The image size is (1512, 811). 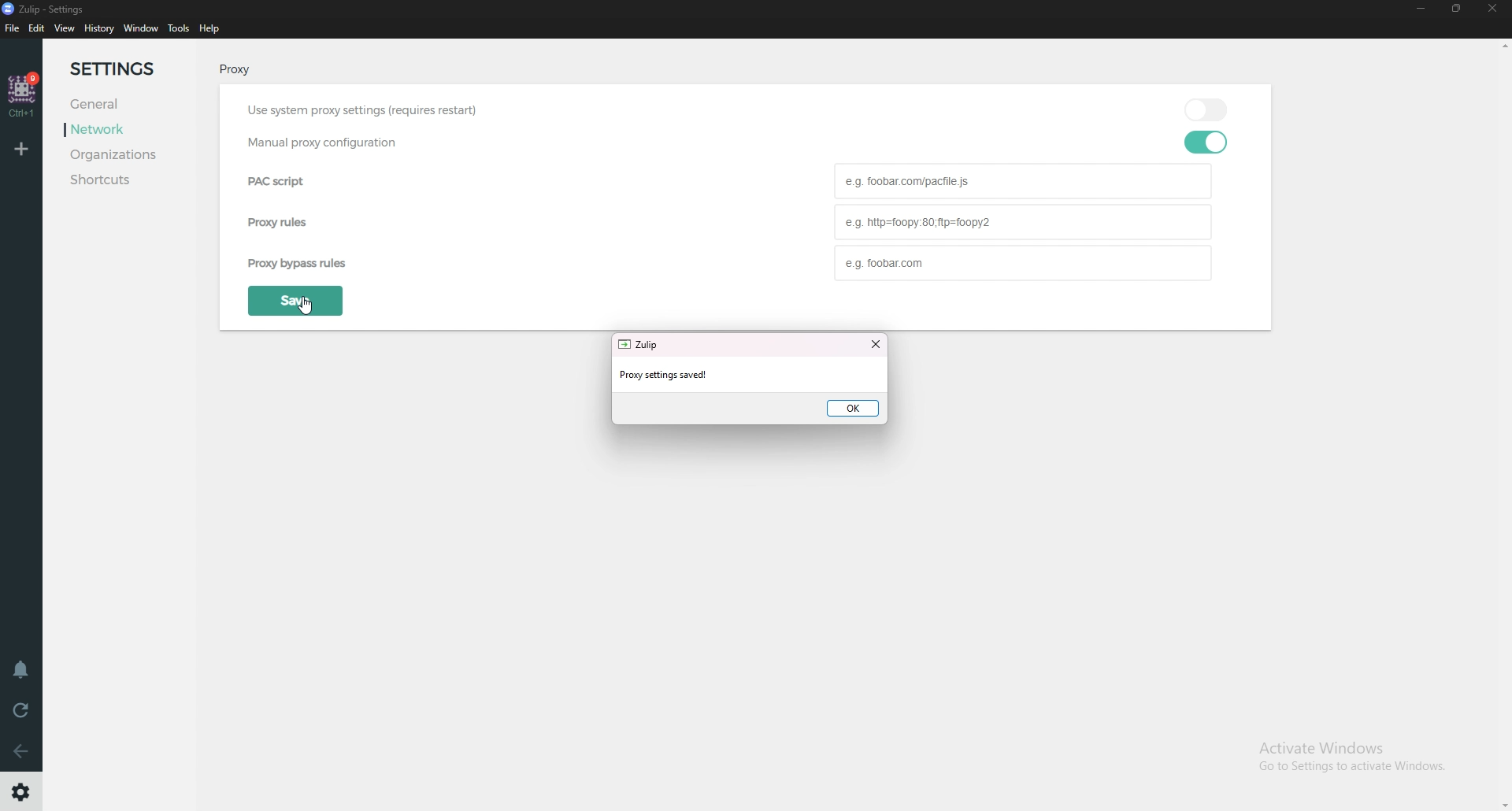 What do you see at coordinates (279, 225) in the screenshot?
I see `proxy rules` at bounding box center [279, 225].